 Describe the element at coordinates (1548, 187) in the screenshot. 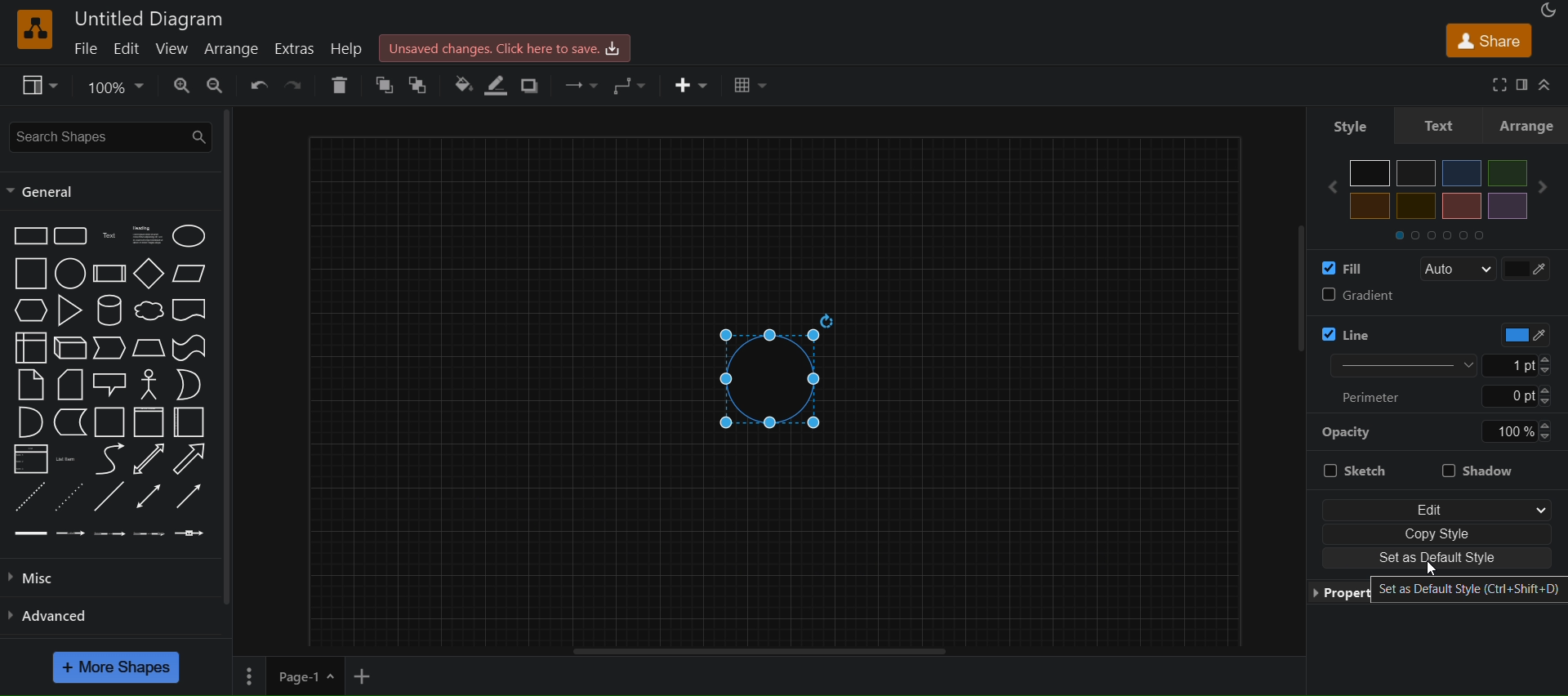

I see `next` at that location.